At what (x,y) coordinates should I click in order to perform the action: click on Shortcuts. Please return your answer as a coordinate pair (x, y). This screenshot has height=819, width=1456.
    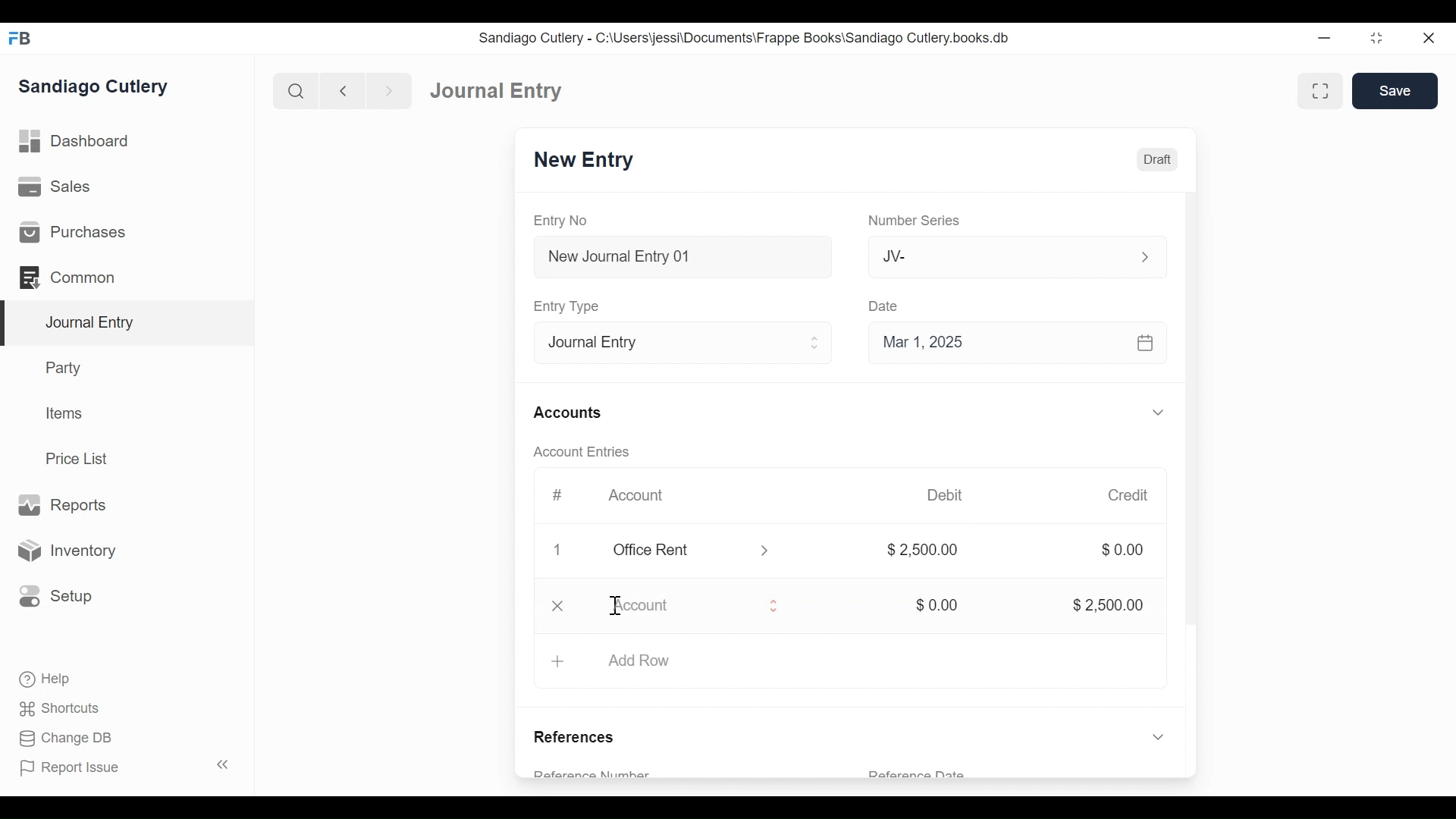
    Looking at the image, I should click on (52, 709).